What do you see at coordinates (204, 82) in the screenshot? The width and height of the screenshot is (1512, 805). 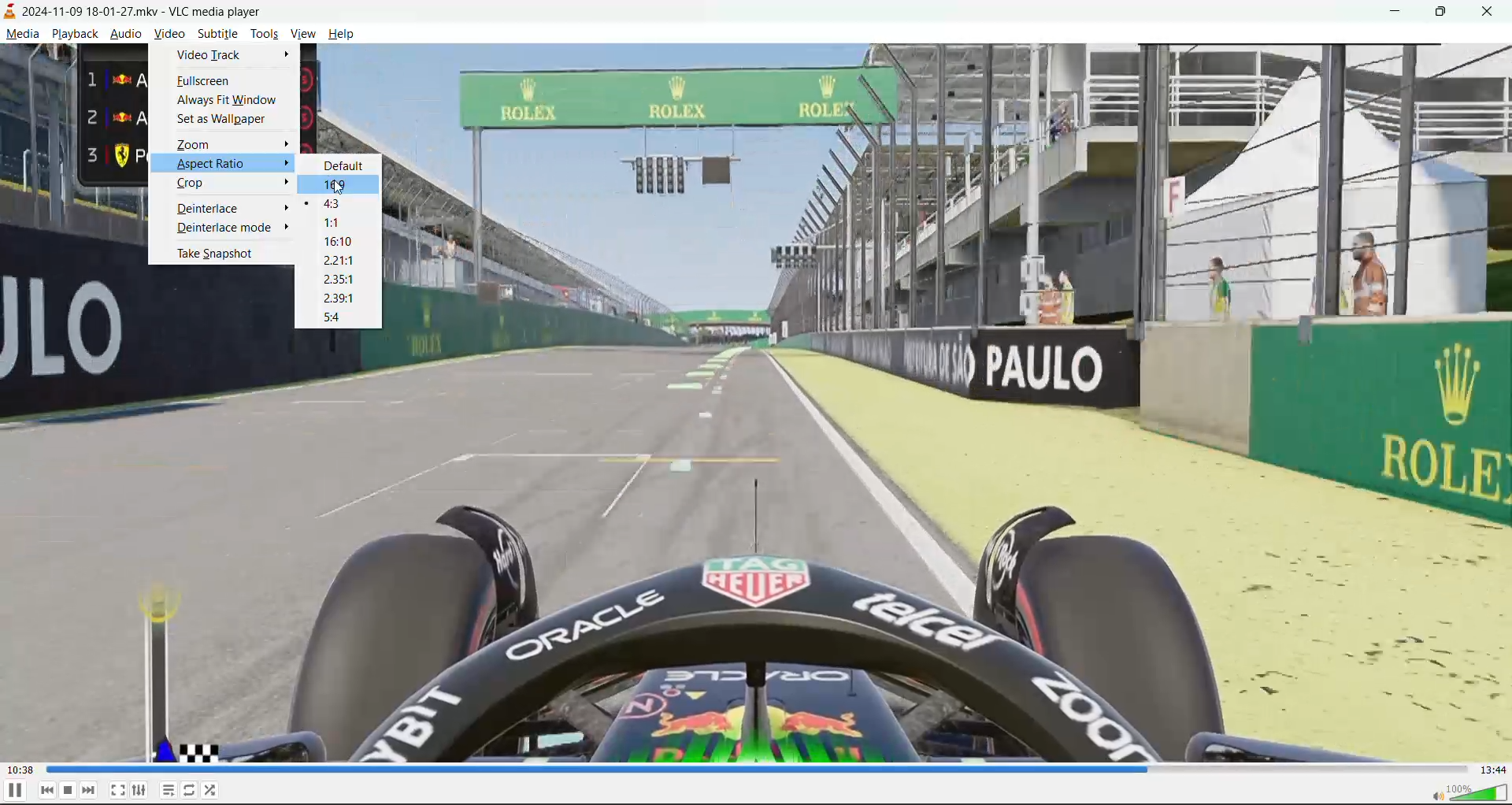 I see `fullscreen` at bounding box center [204, 82].